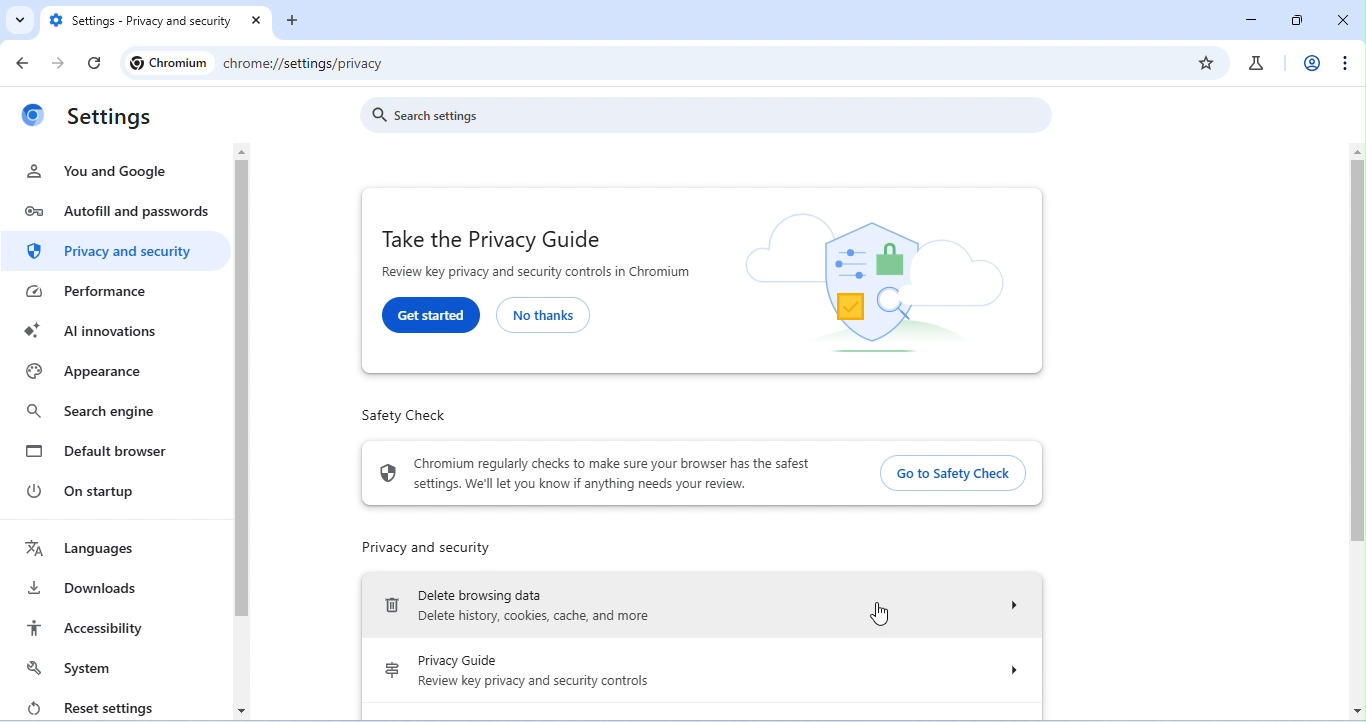 The image size is (1366, 722). Describe the element at coordinates (55, 64) in the screenshot. I see `forward` at that location.